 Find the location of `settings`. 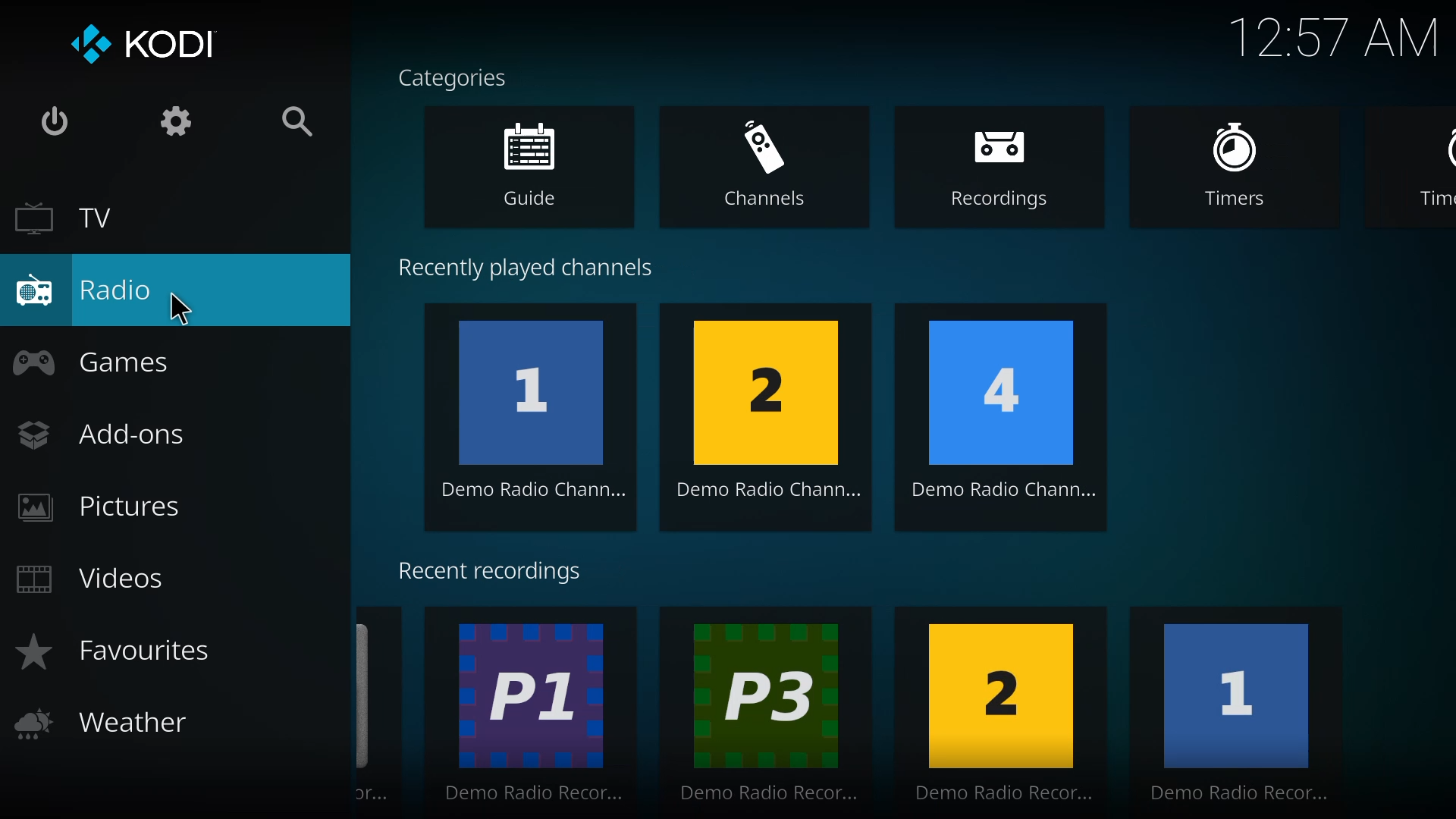

settings is located at coordinates (171, 118).